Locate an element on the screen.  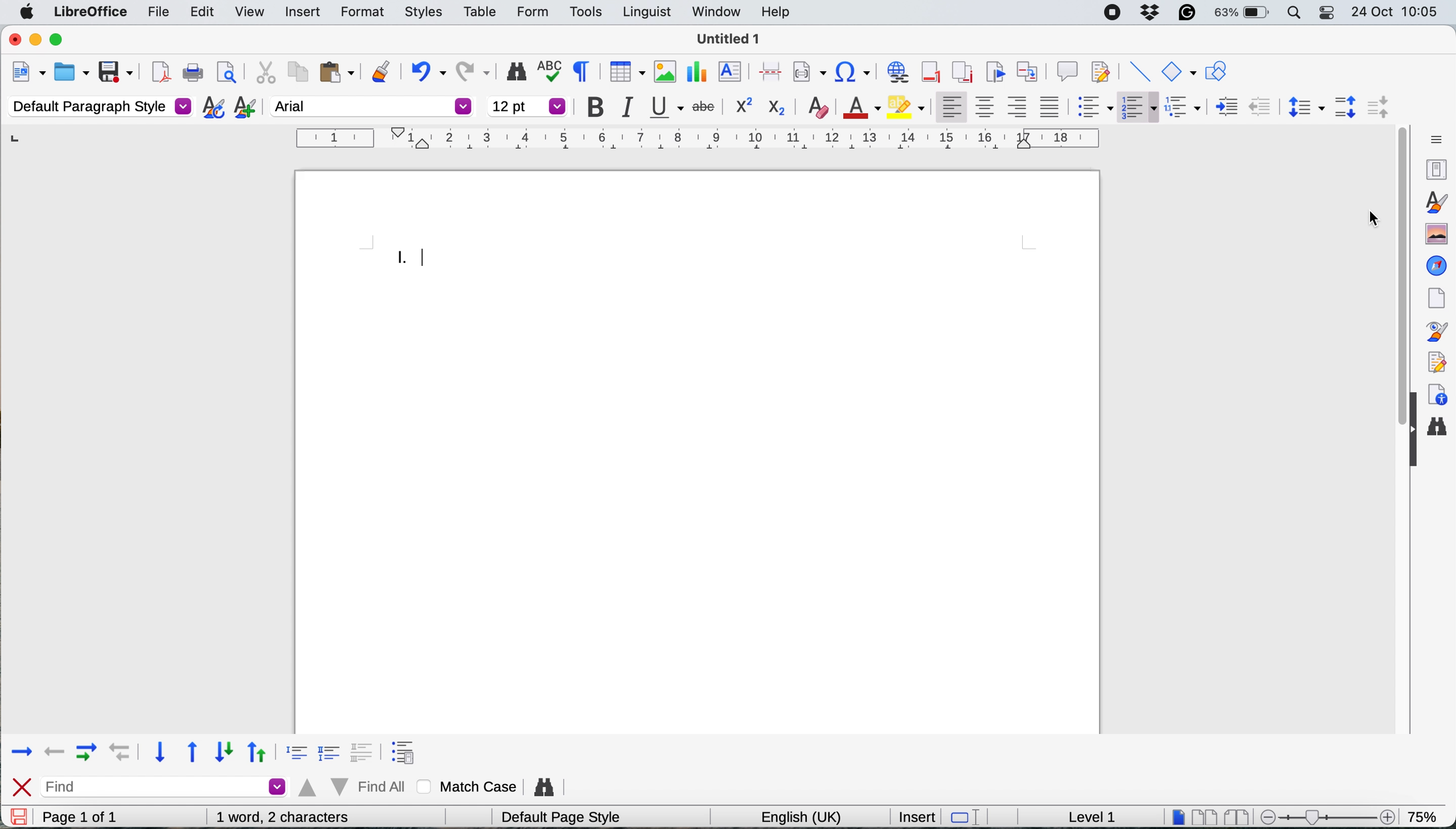
libre office is located at coordinates (89, 12).